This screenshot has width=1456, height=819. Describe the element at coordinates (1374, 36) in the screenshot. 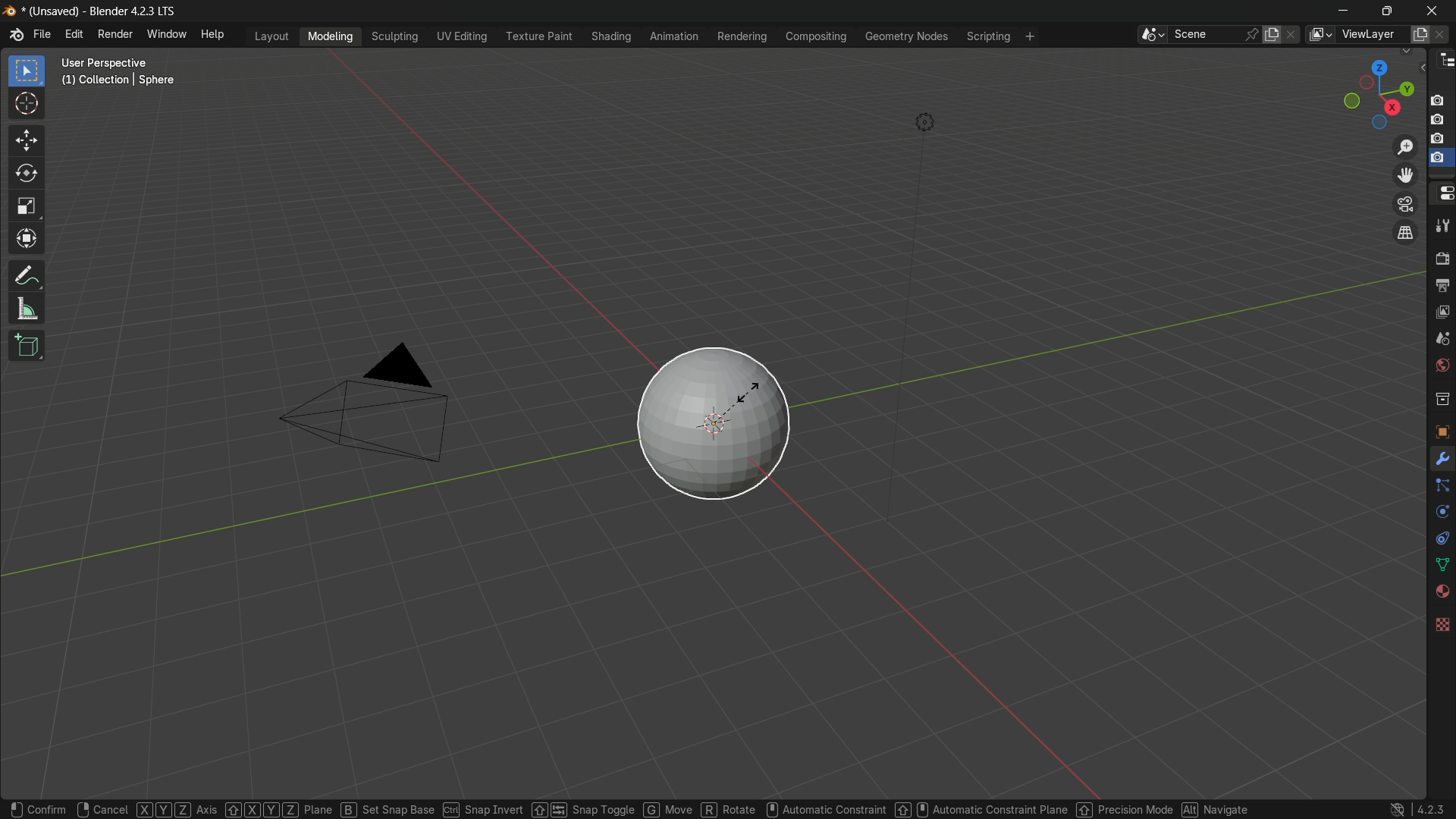

I see `view layer name` at that location.